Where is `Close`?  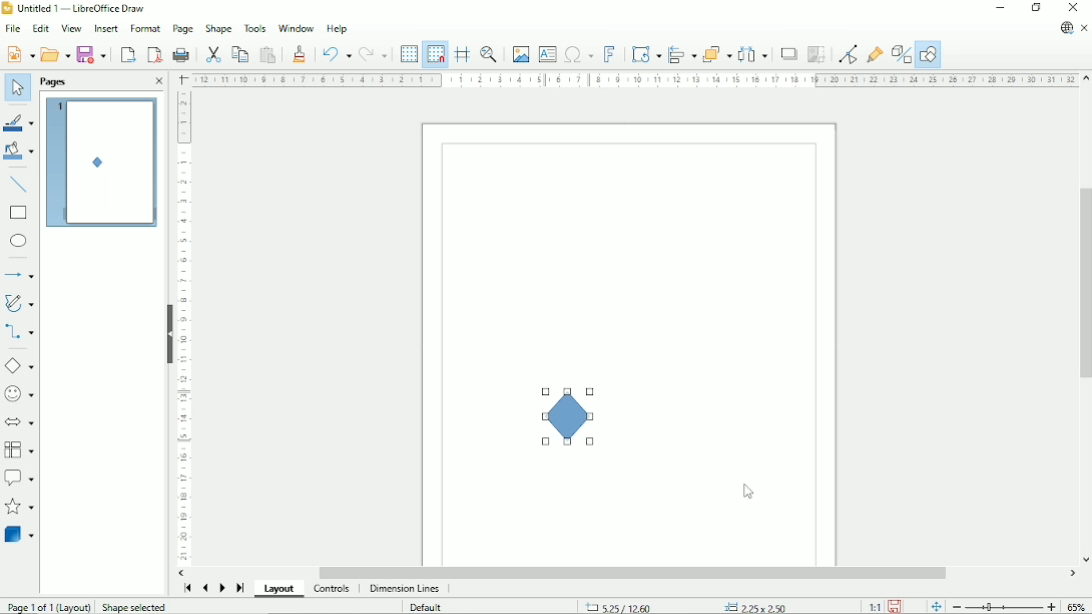 Close is located at coordinates (160, 81).